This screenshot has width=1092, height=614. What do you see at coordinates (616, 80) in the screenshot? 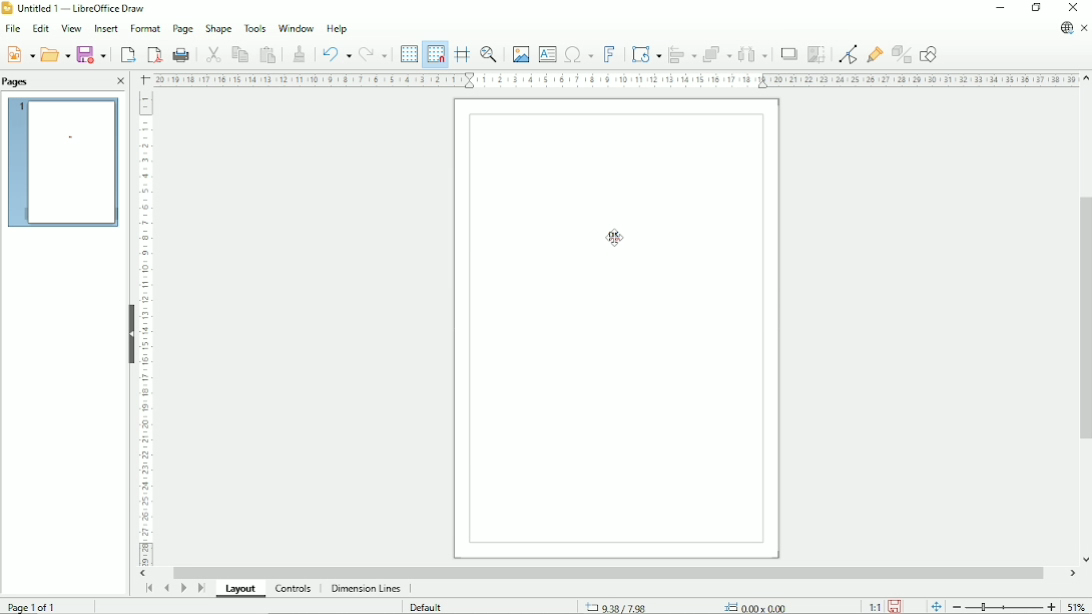
I see `Horizontal scale` at bounding box center [616, 80].